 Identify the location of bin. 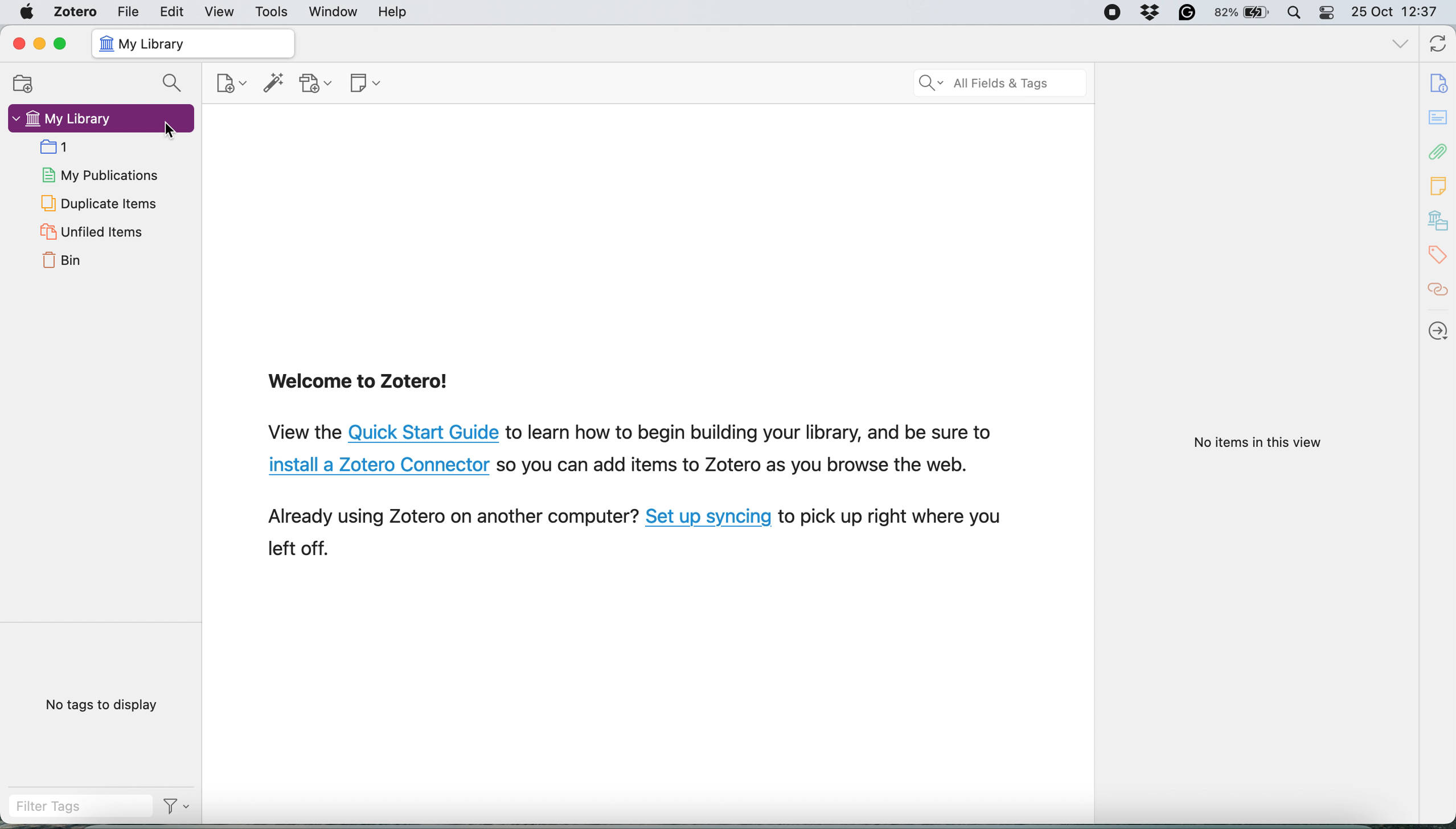
(63, 263).